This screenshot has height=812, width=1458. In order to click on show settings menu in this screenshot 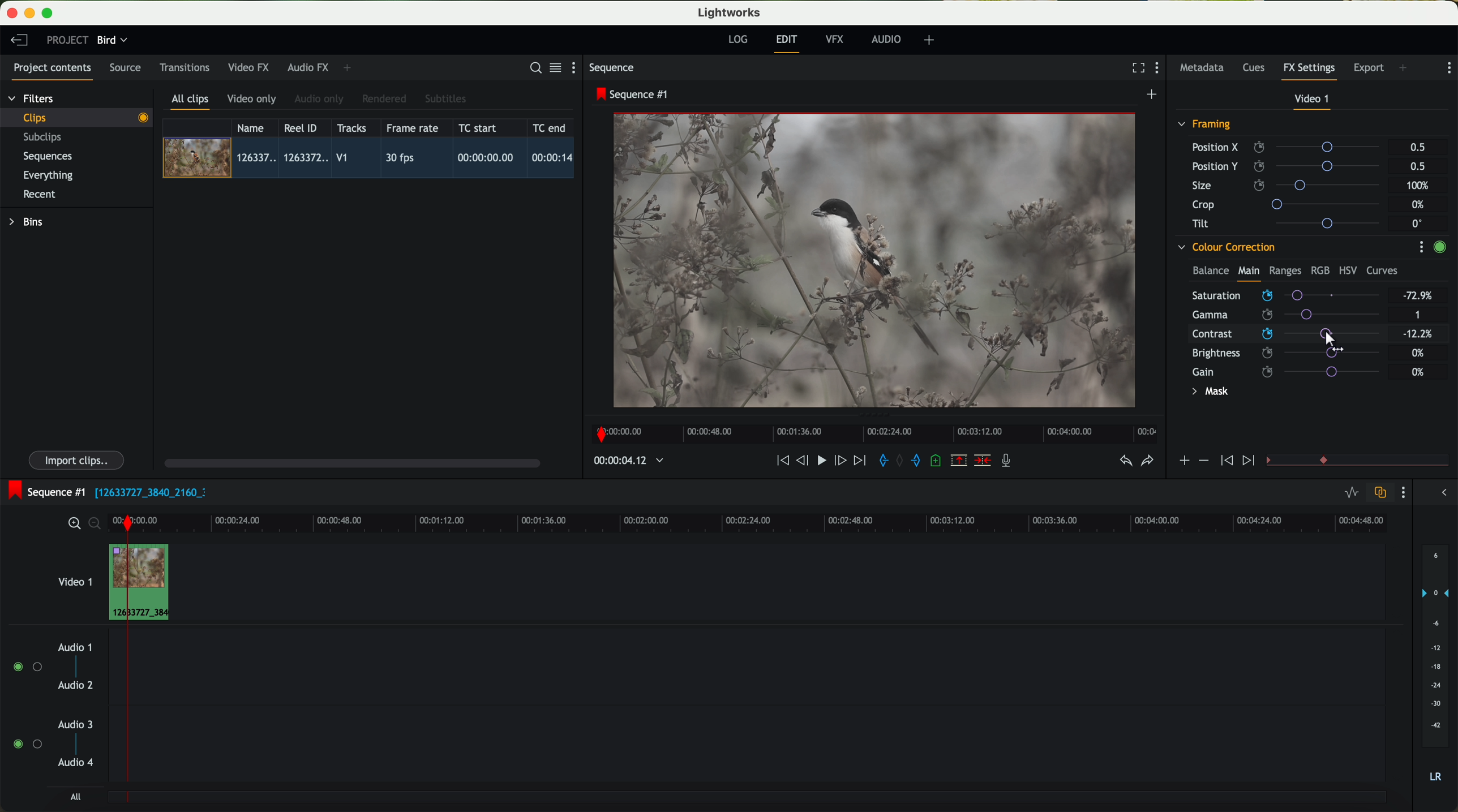, I will do `click(578, 67)`.